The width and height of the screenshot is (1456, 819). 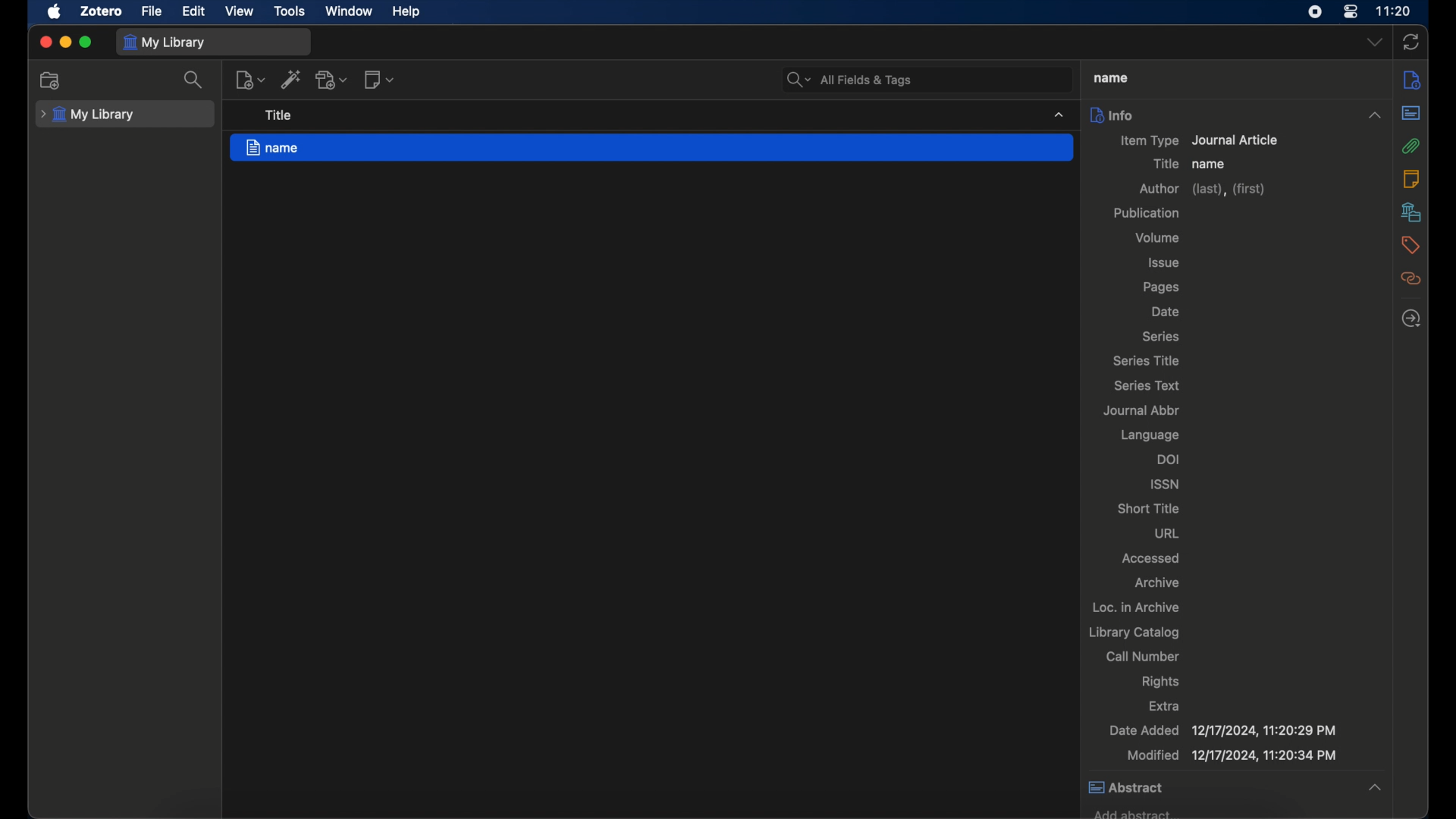 I want to click on add attachment, so click(x=332, y=80).